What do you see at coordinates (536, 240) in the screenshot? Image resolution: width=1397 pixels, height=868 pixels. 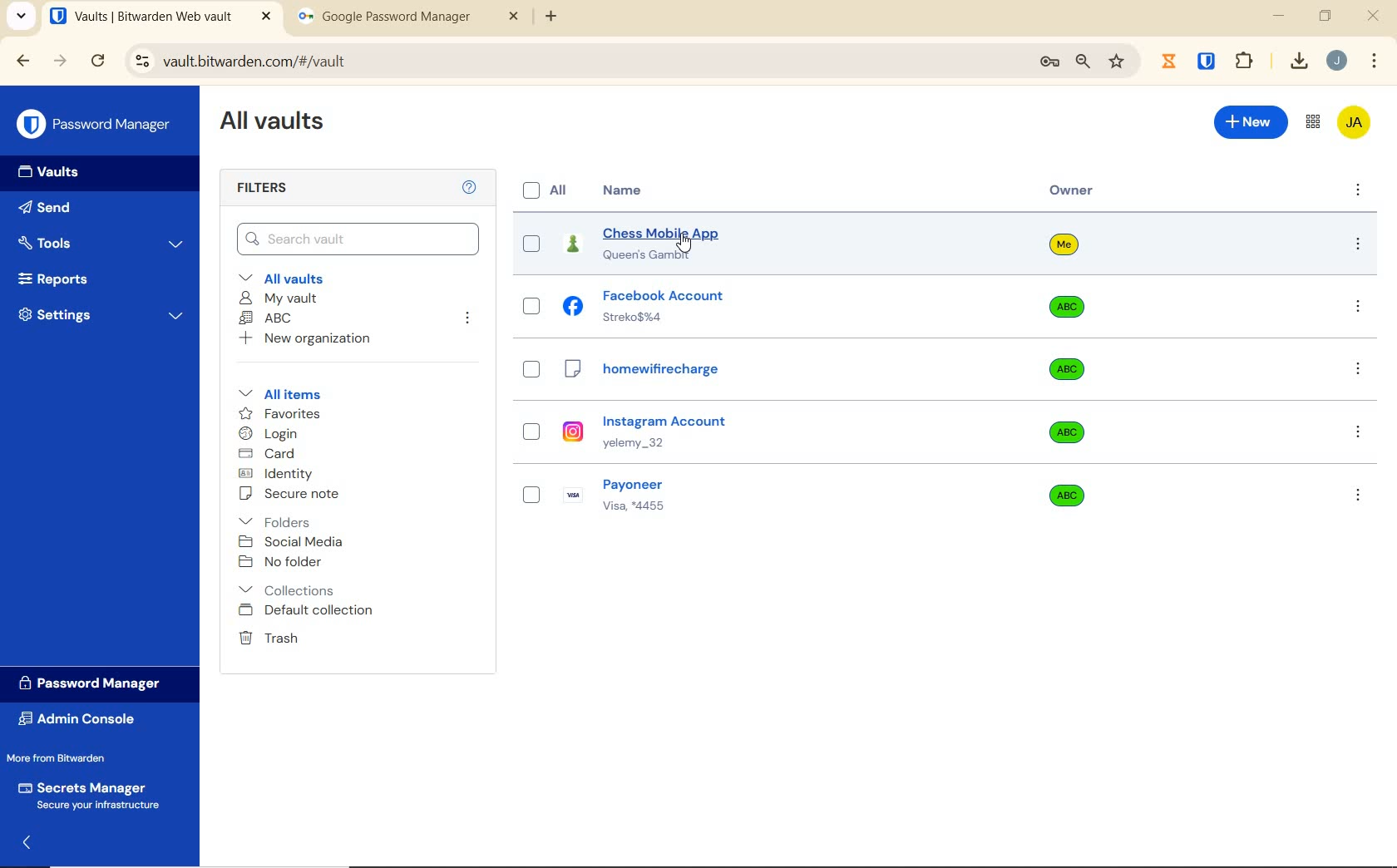 I see `check box` at bounding box center [536, 240].